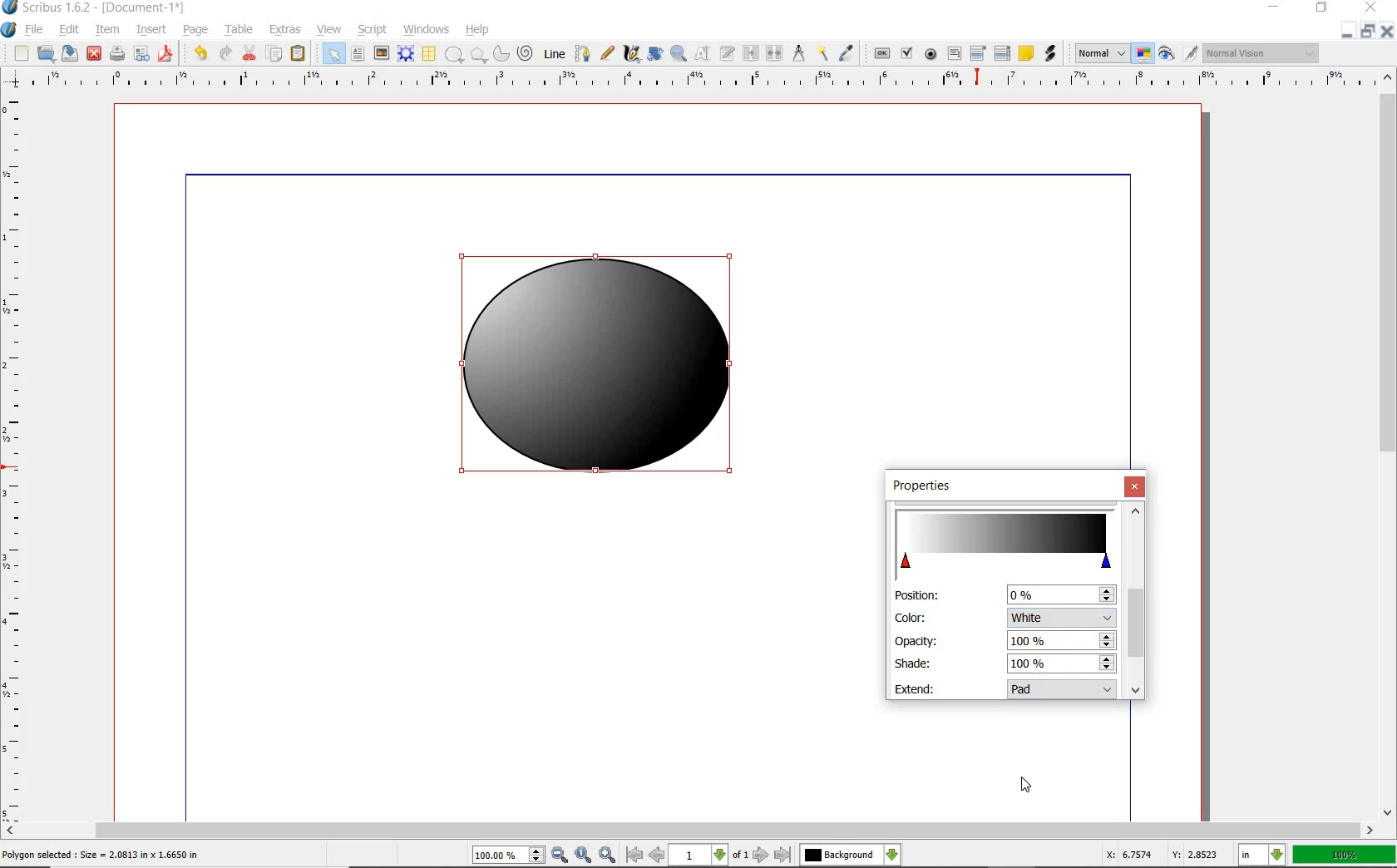 The height and width of the screenshot is (868, 1397). What do you see at coordinates (585, 855) in the screenshot?
I see `zoom to` at bounding box center [585, 855].